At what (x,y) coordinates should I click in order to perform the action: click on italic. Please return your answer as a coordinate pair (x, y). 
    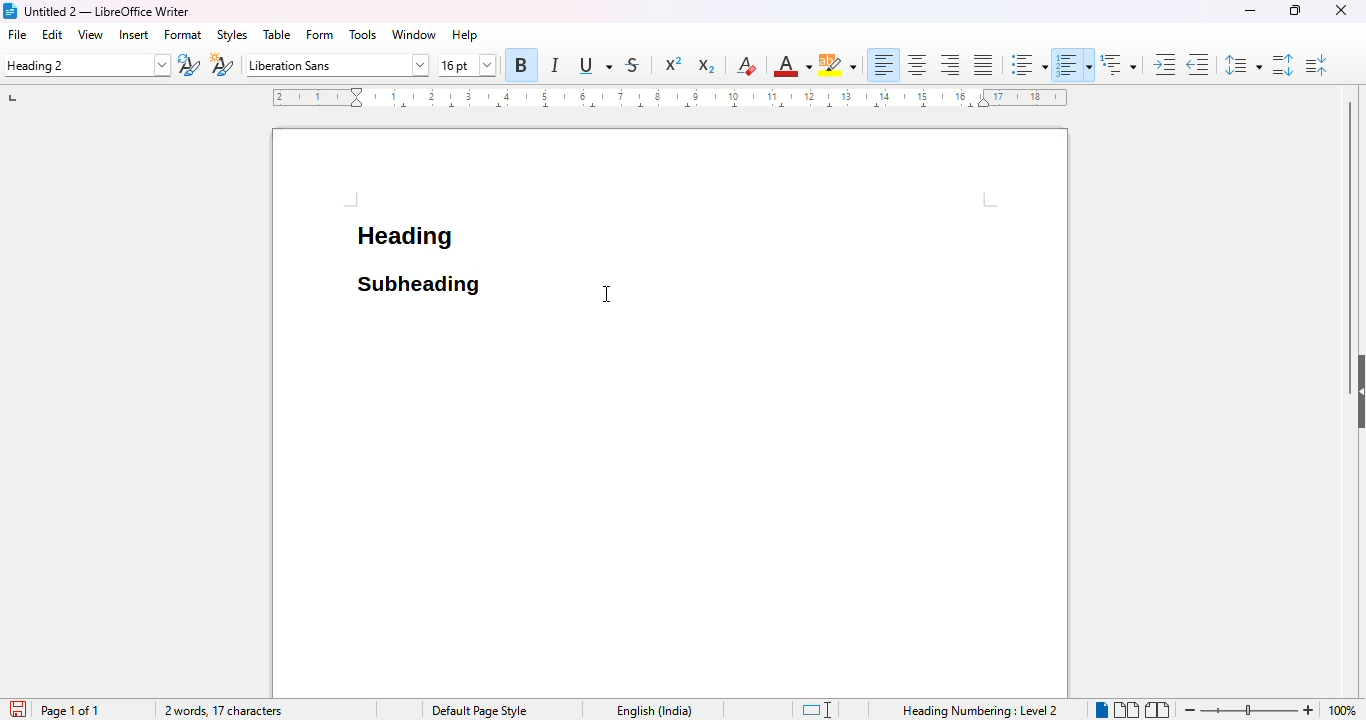
    Looking at the image, I should click on (555, 64).